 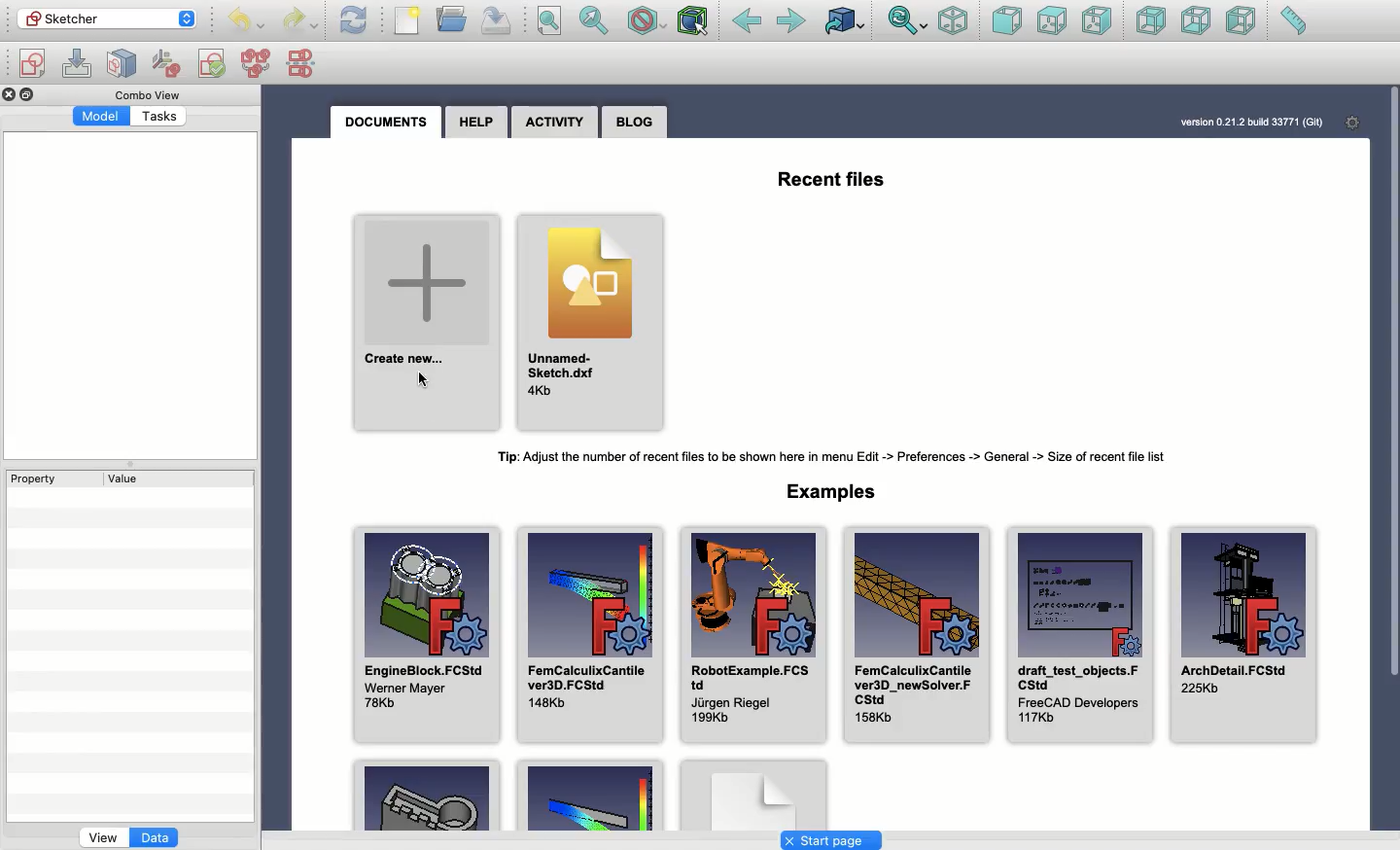 I want to click on Save, so click(x=496, y=19).